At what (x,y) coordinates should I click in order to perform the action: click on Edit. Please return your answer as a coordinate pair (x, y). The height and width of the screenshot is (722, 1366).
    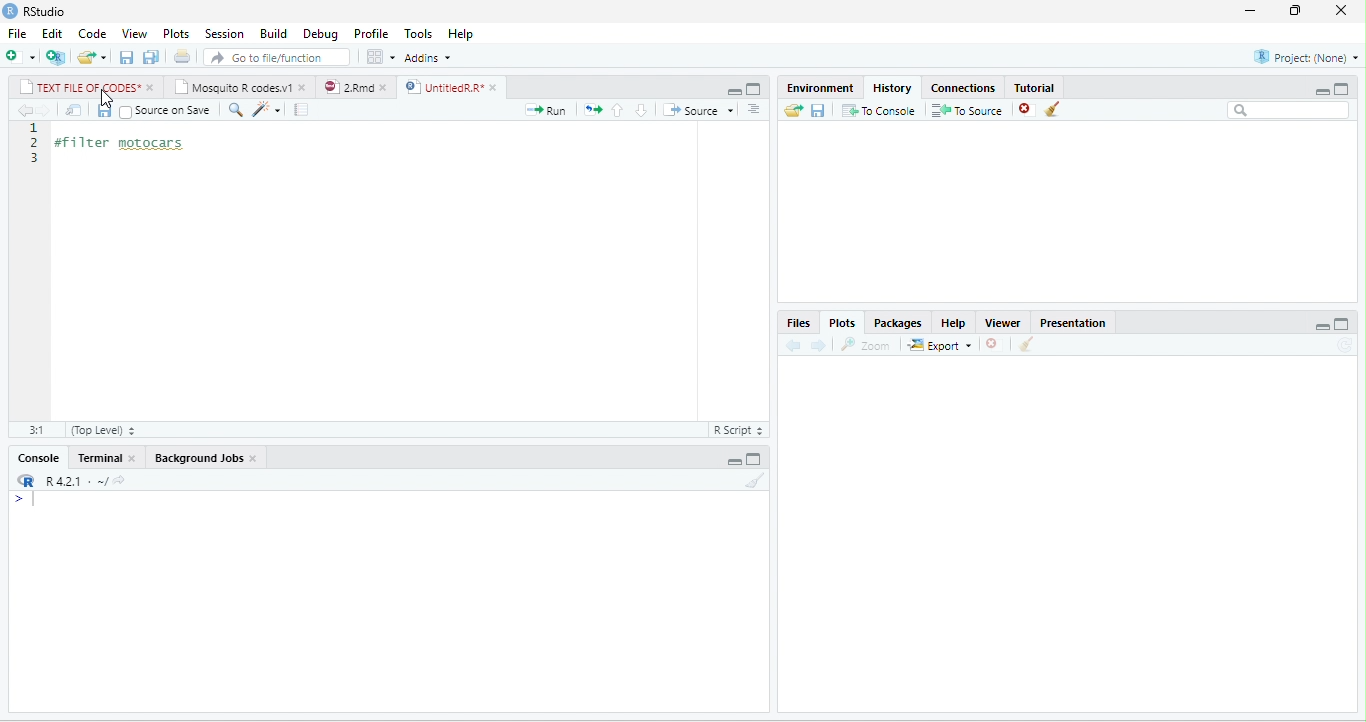
    Looking at the image, I should click on (52, 33).